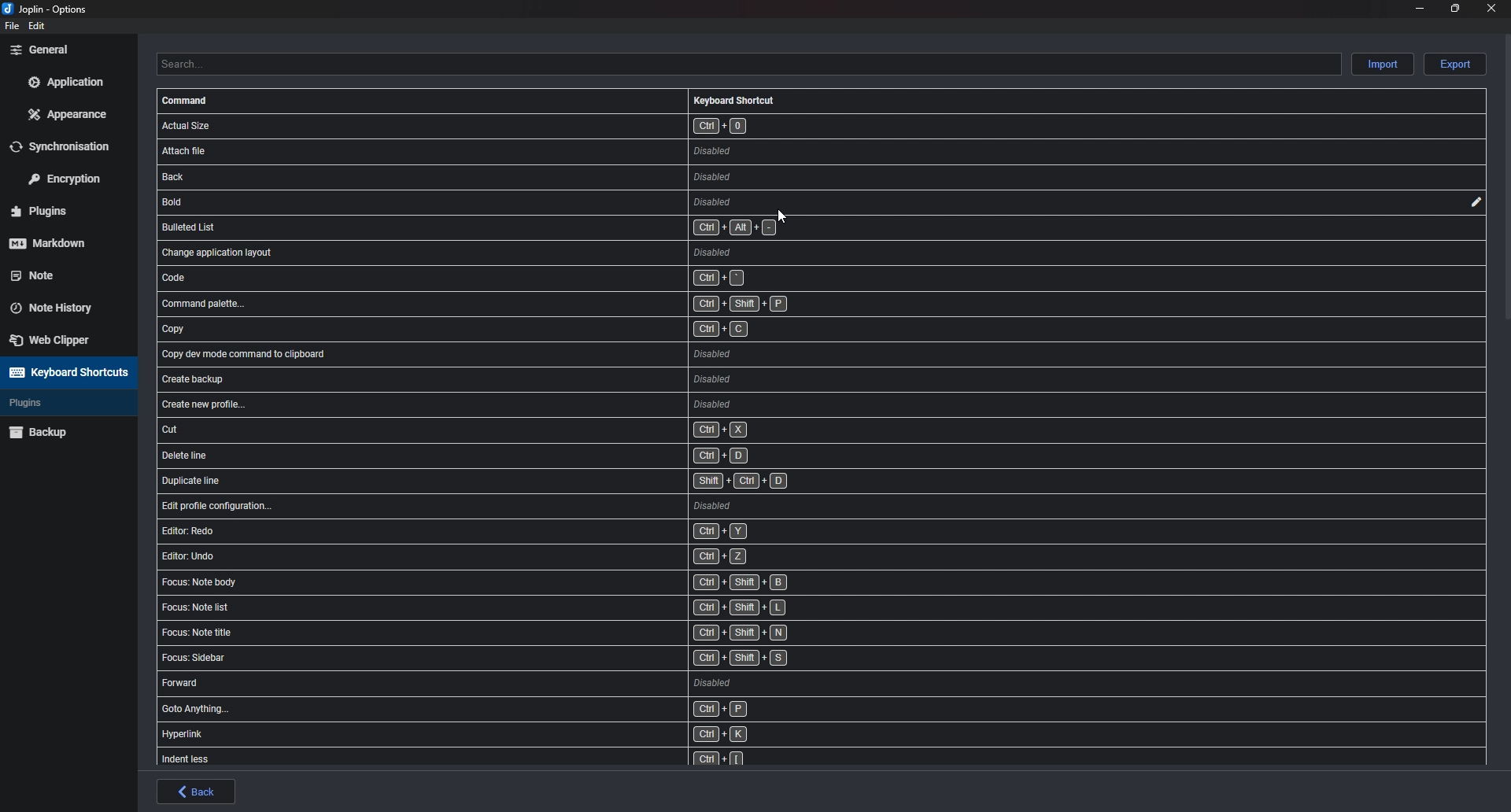 The height and width of the screenshot is (812, 1511). I want to click on shortcut, so click(519, 687).